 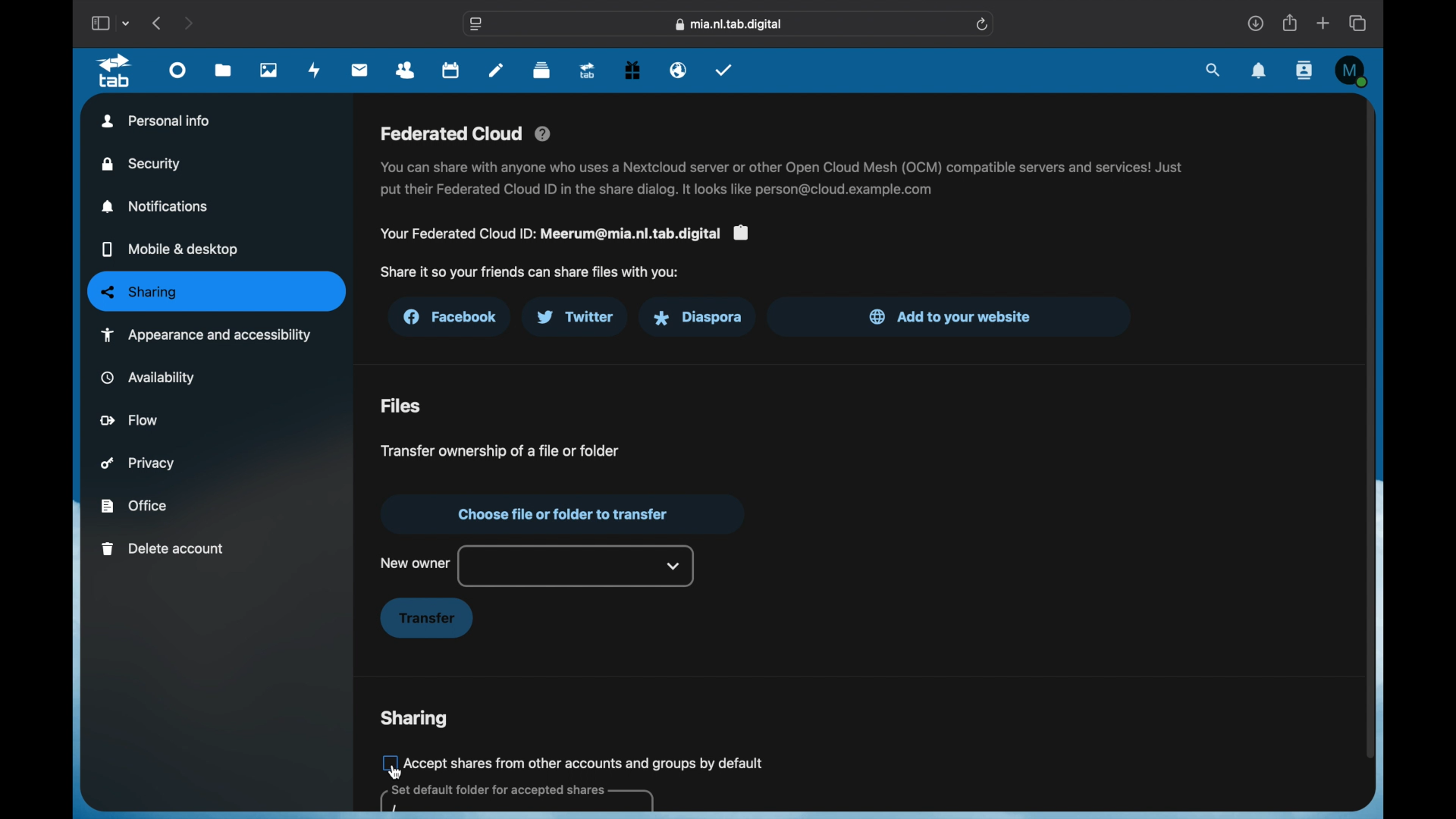 I want to click on personal info, so click(x=156, y=121).